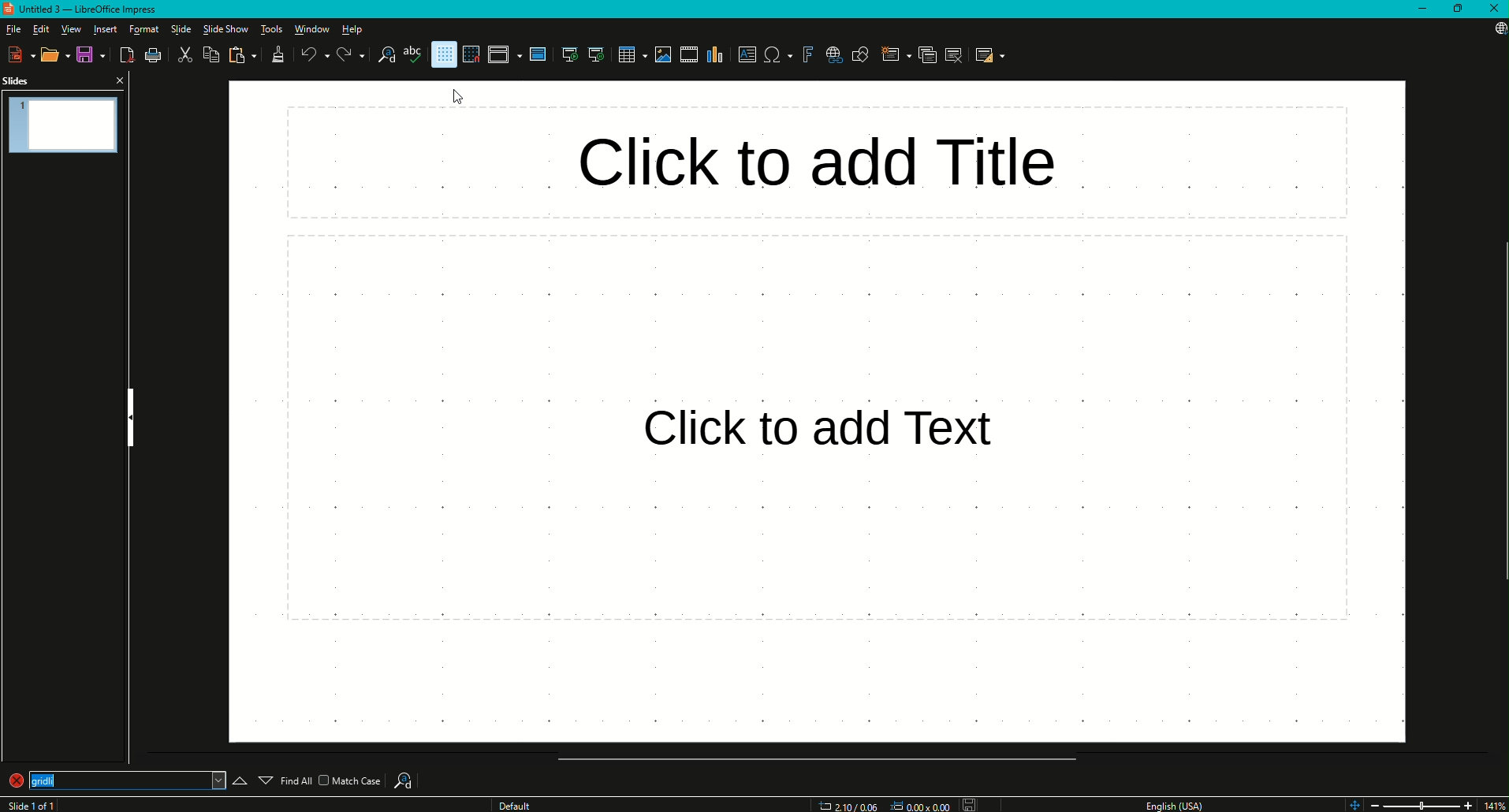  I want to click on Close preview, so click(120, 81).